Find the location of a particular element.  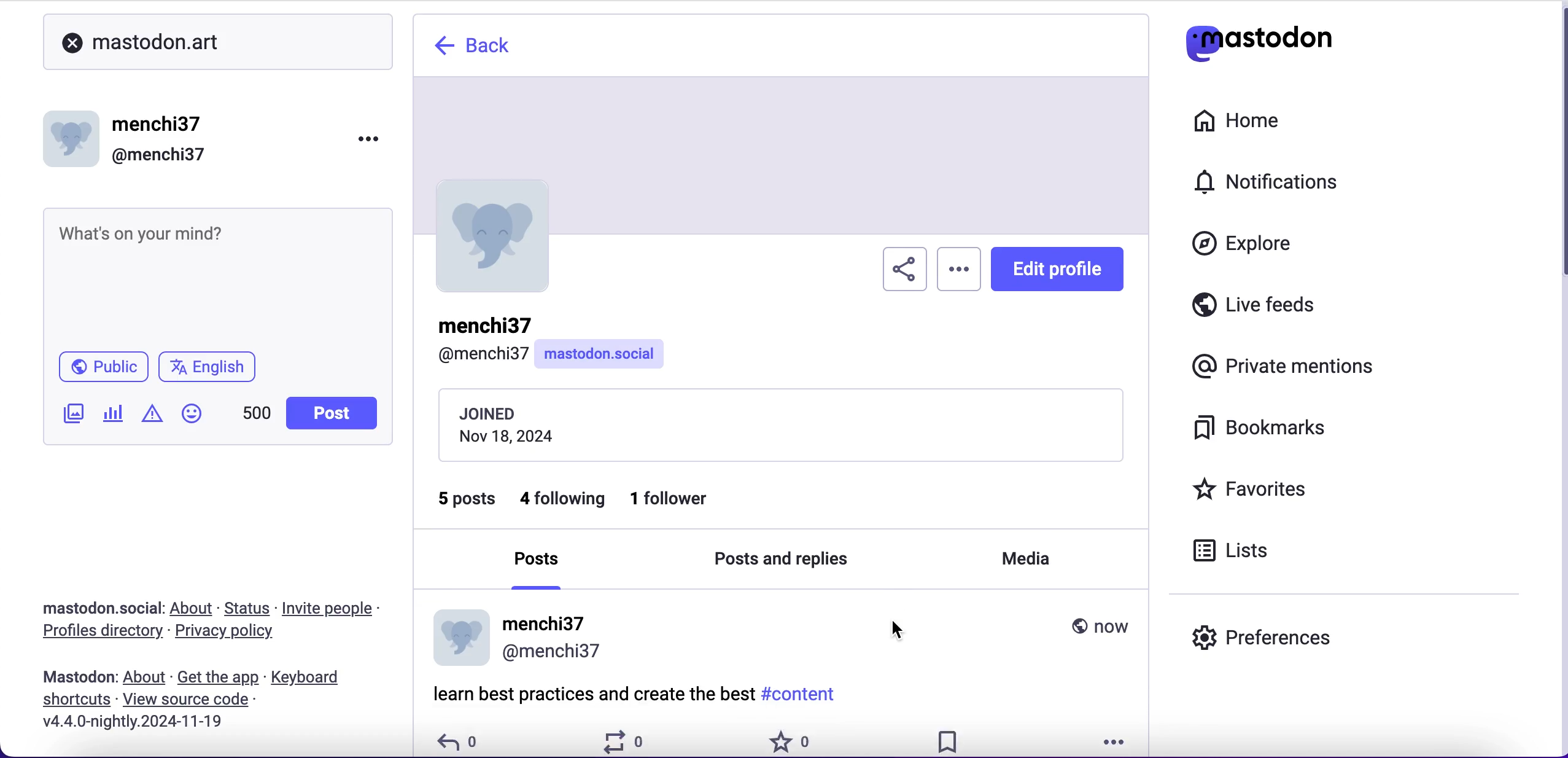

explore is located at coordinates (1246, 249).